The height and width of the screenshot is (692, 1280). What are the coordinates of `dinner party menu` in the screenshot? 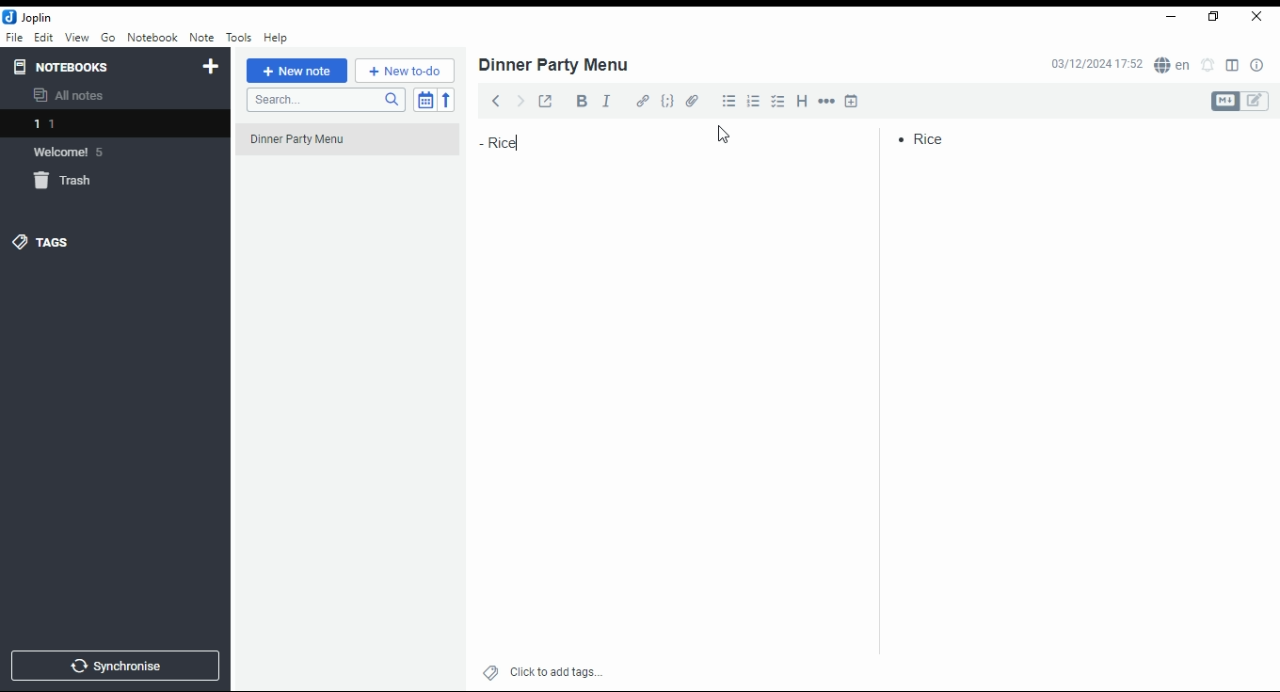 It's located at (555, 65).